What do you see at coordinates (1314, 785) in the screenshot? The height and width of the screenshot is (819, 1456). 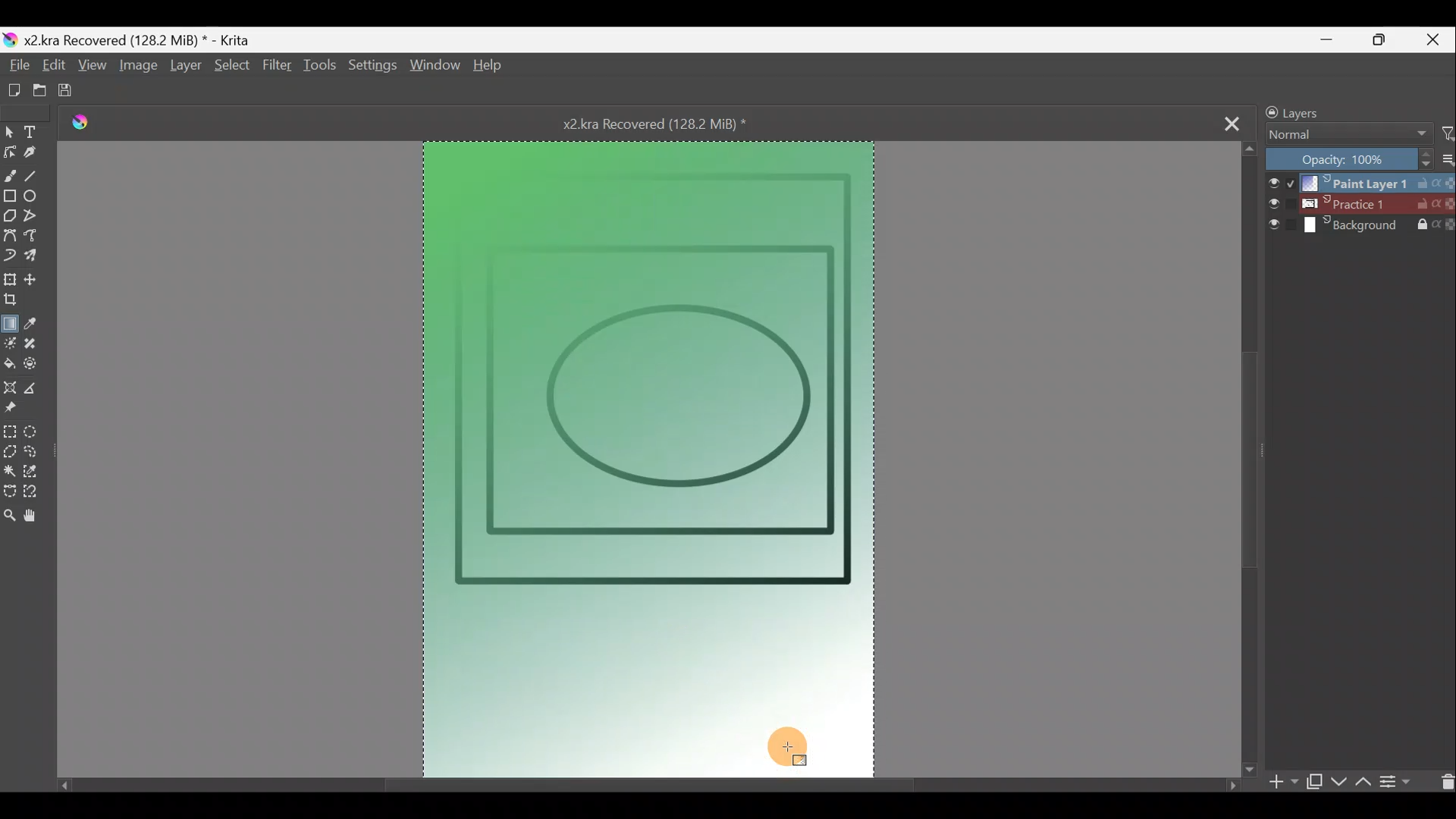 I see `Duplicate layer/mask` at bounding box center [1314, 785].